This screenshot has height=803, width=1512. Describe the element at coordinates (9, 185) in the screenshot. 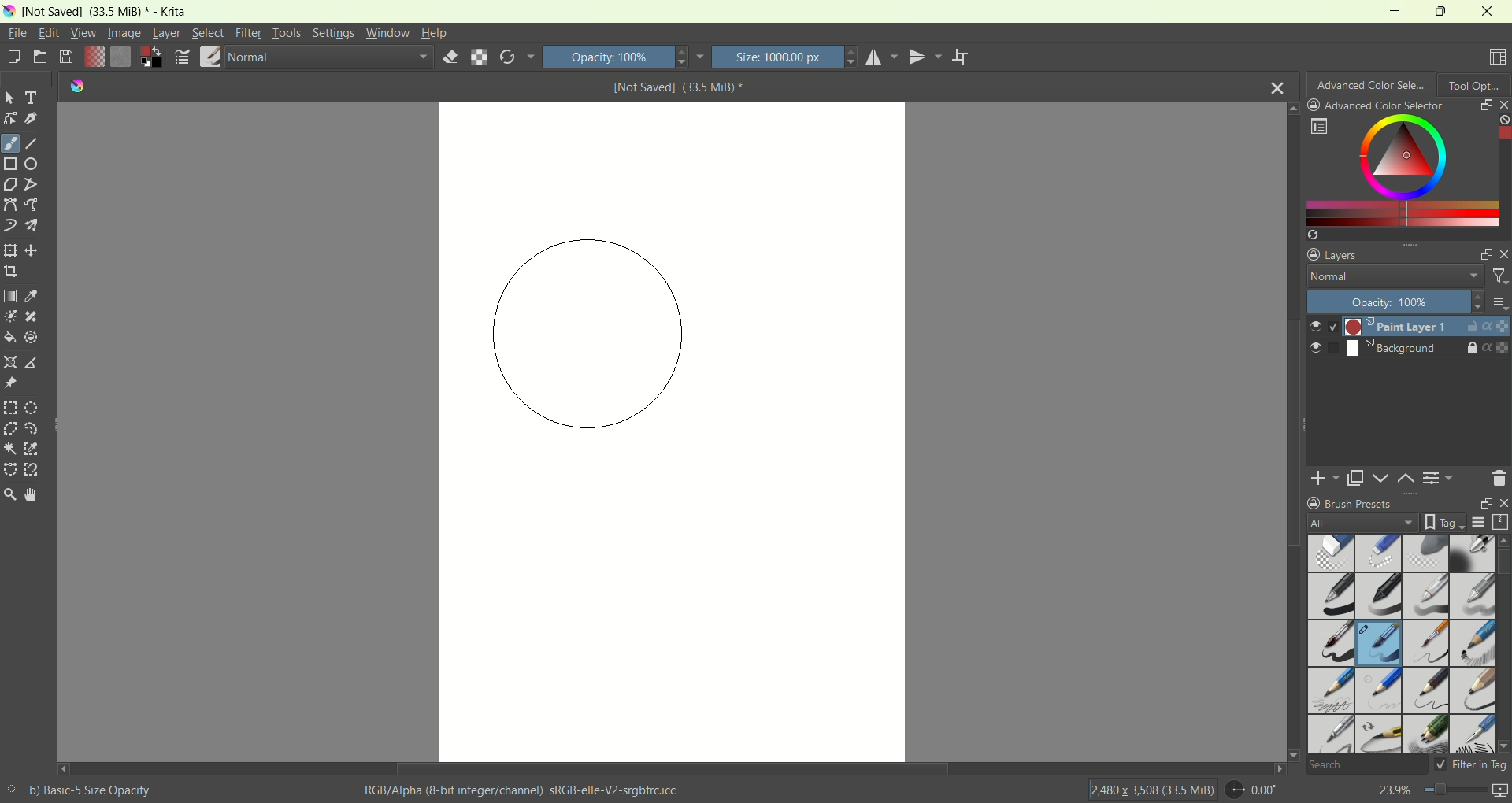

I see `polygon` at that location.